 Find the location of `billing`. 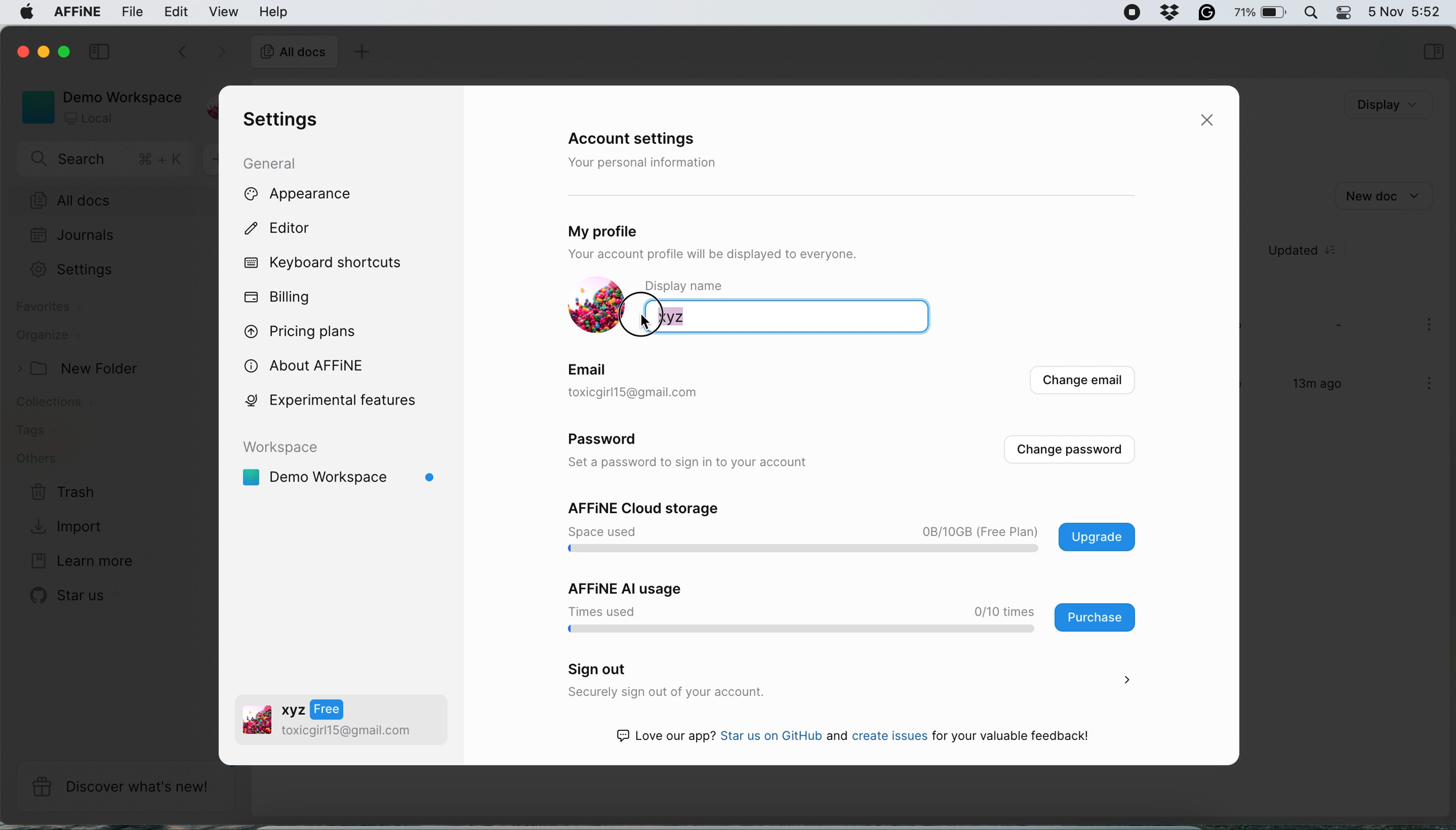

billing is located at coordinates (279, 298).